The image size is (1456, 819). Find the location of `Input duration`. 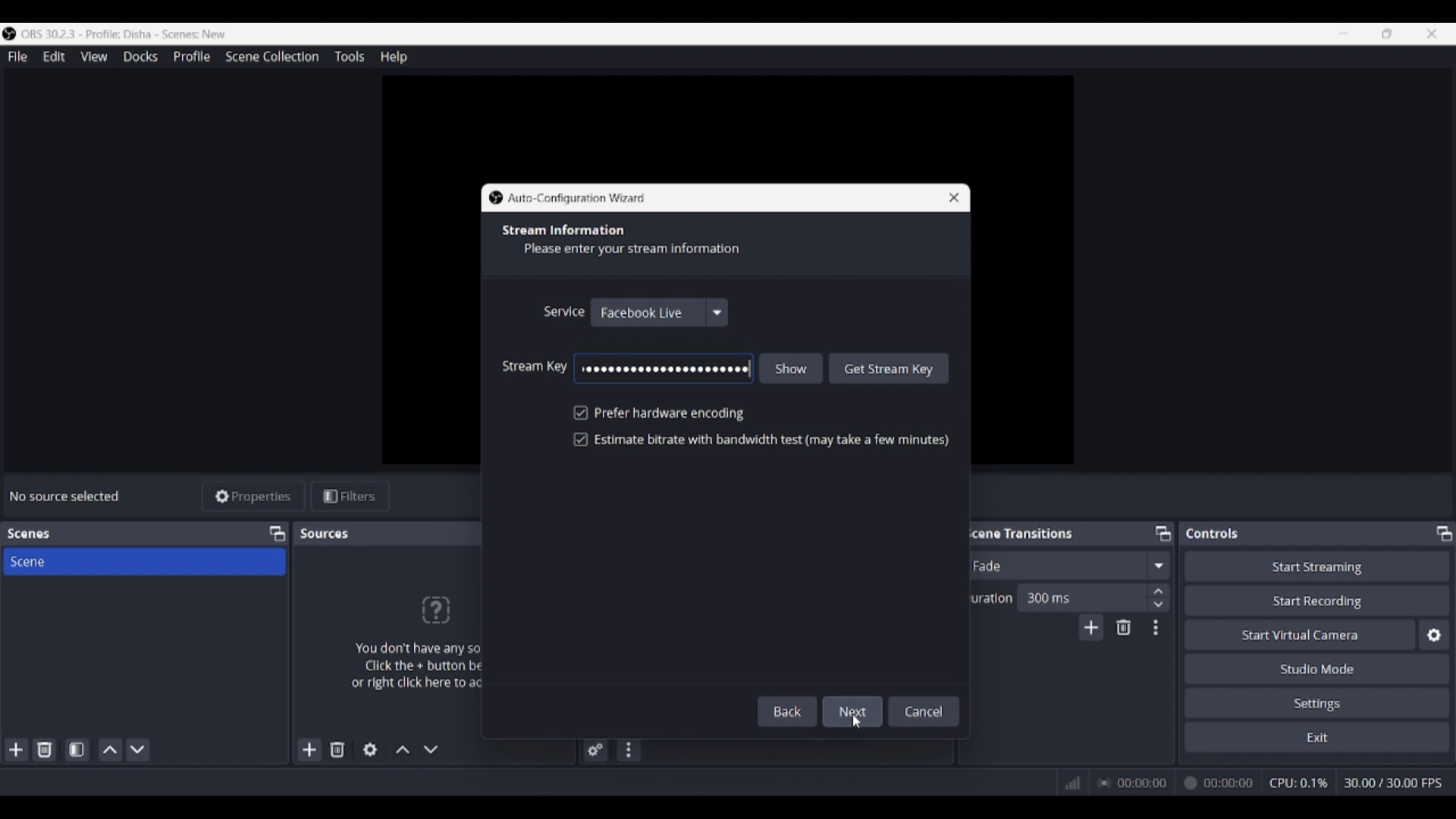

Input duration is located at coordinates (1081, 597).